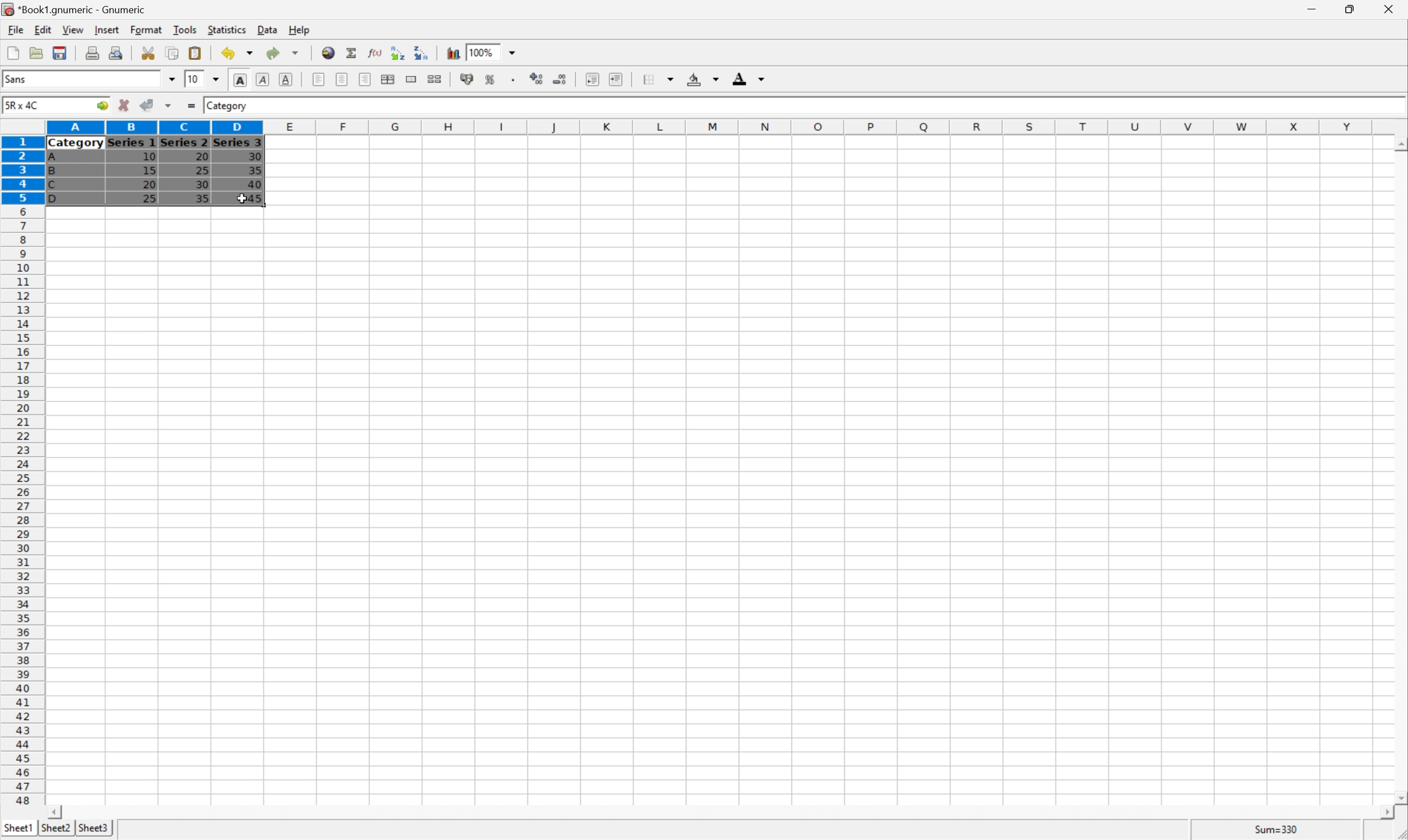 This screenshot has height=840, width=1408. What do you see at coordinates (328, 52) in the screenshot?
I see `Insert a hyperlink` at bounding box center [328, 52].